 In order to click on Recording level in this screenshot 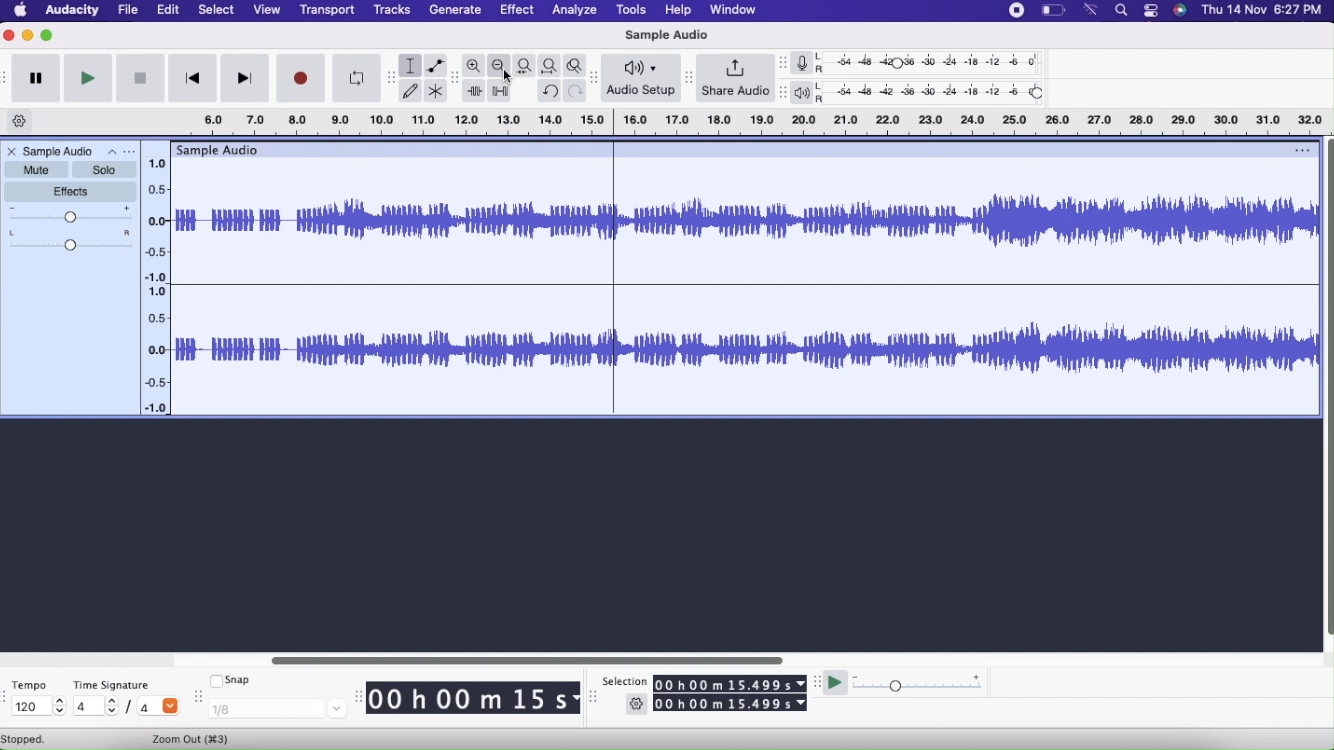, I will do `click(940, 65)`.